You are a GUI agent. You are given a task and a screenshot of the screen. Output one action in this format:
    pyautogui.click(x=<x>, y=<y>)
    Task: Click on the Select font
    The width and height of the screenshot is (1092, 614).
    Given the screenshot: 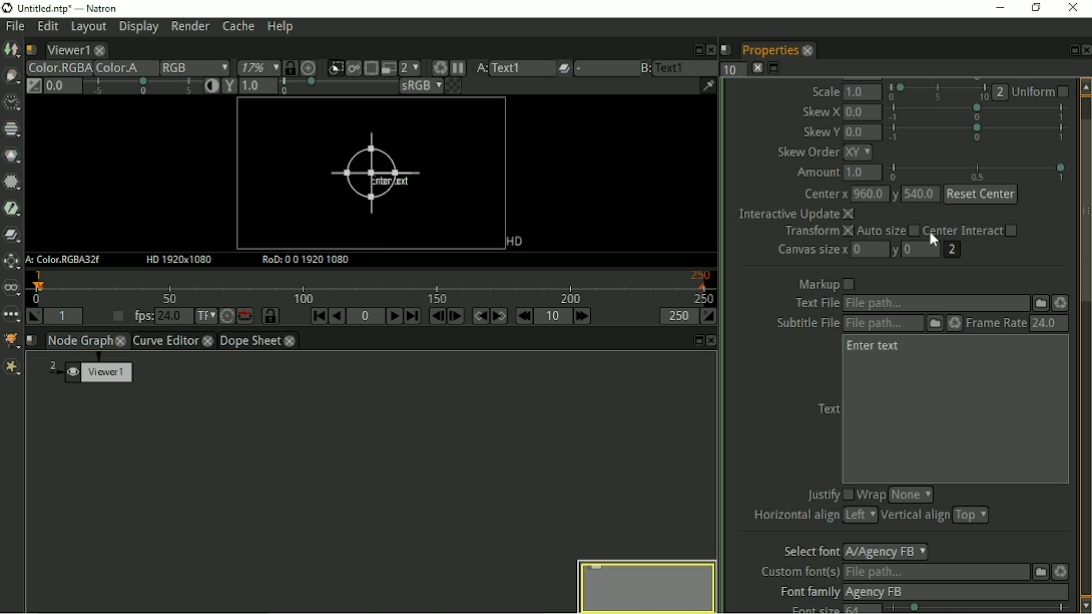 What is the action you would take?
    pyautogui.click(x=807, y=551)
    